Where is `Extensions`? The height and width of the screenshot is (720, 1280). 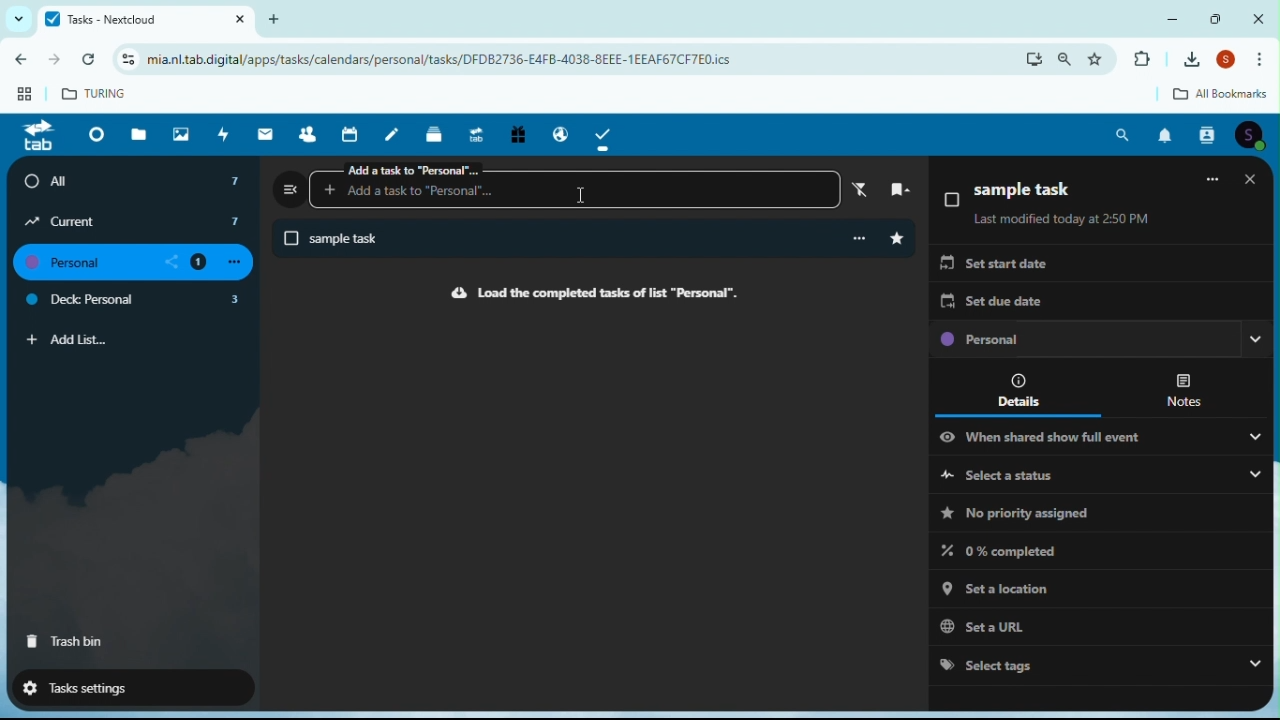
Extensions is located at coordinates (1141, 60).